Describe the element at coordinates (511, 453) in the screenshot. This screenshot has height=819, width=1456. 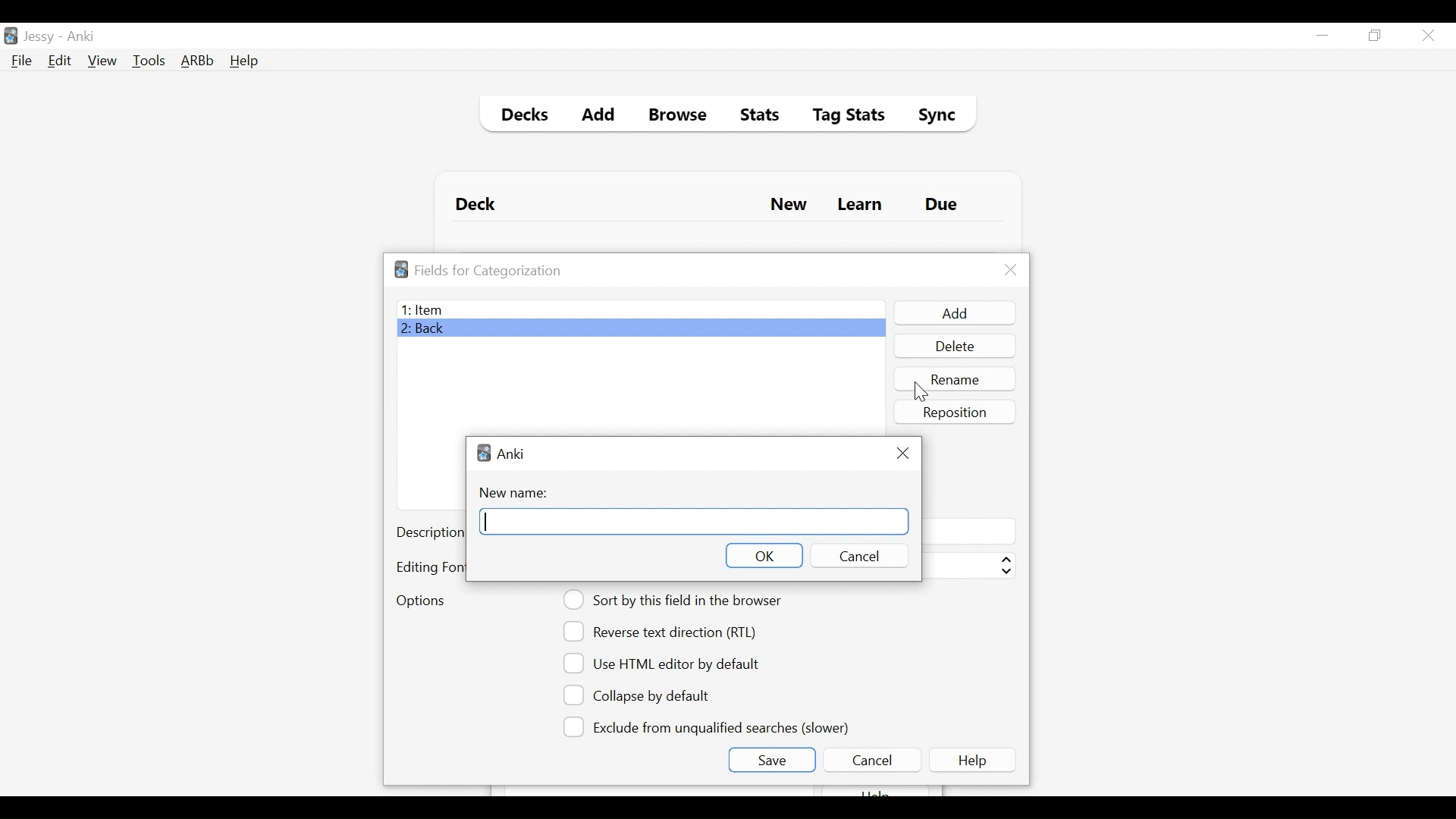
I see `Anki` at that location.